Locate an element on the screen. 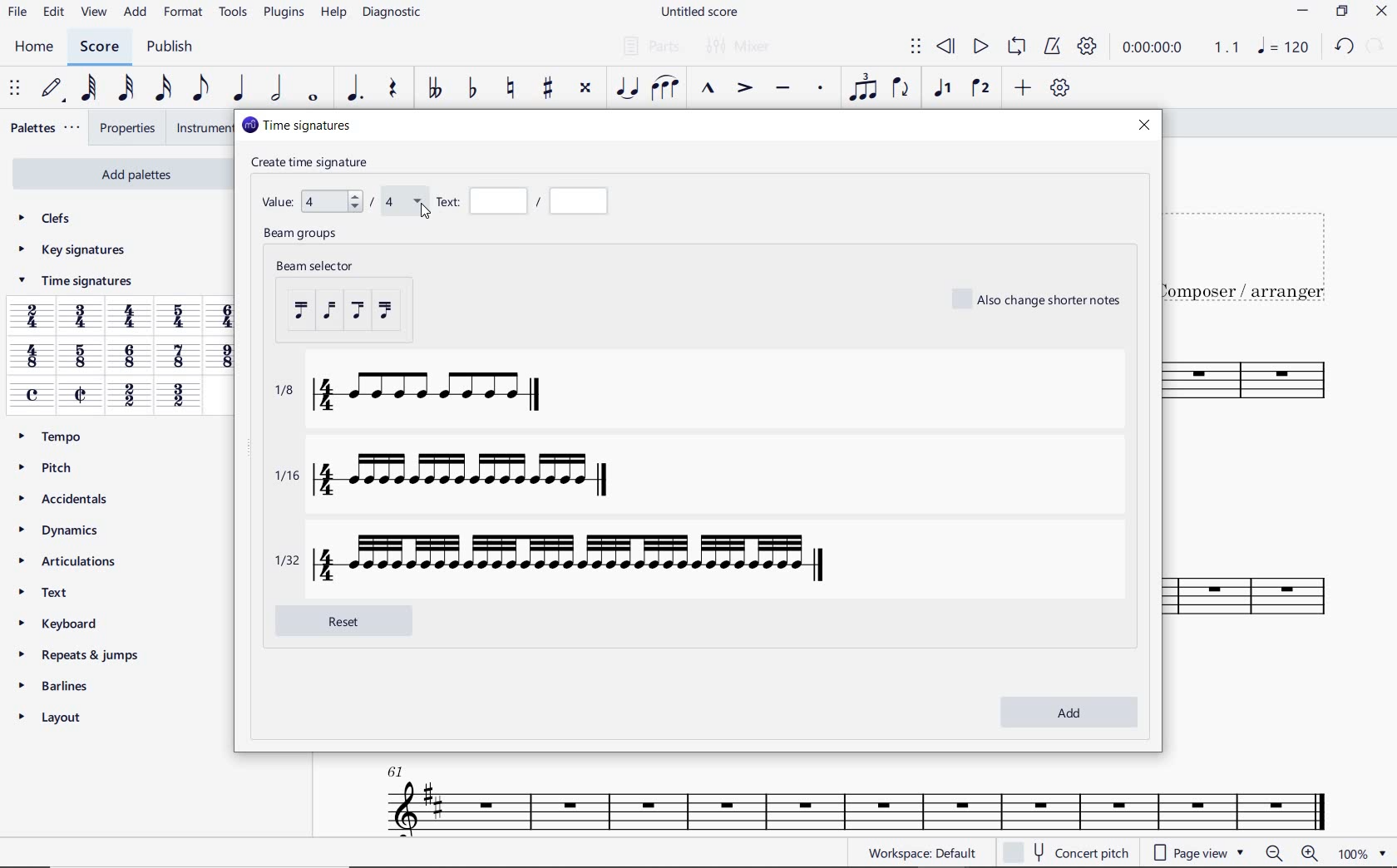 The width and height of the screenshot is (1397, 868). 4/4 is located at coordinates (132, 318).